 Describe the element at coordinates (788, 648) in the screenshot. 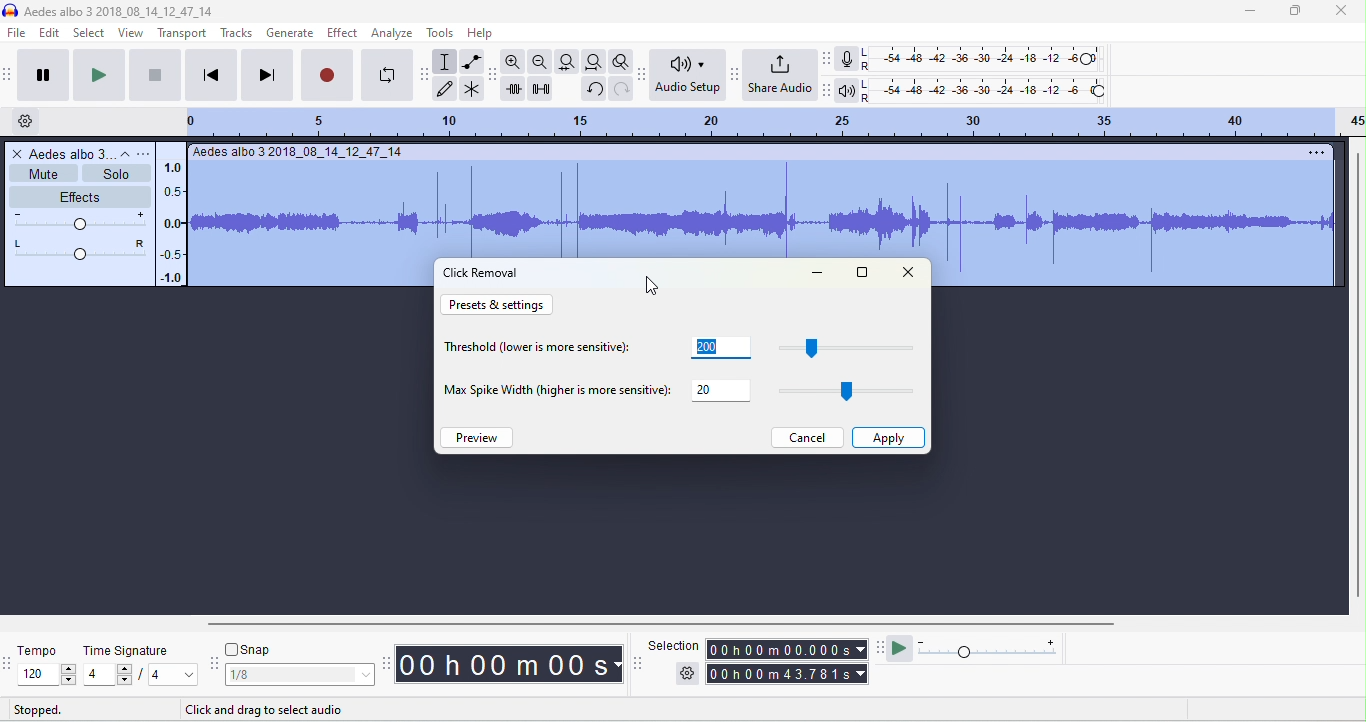

I see `selection time` at that location.